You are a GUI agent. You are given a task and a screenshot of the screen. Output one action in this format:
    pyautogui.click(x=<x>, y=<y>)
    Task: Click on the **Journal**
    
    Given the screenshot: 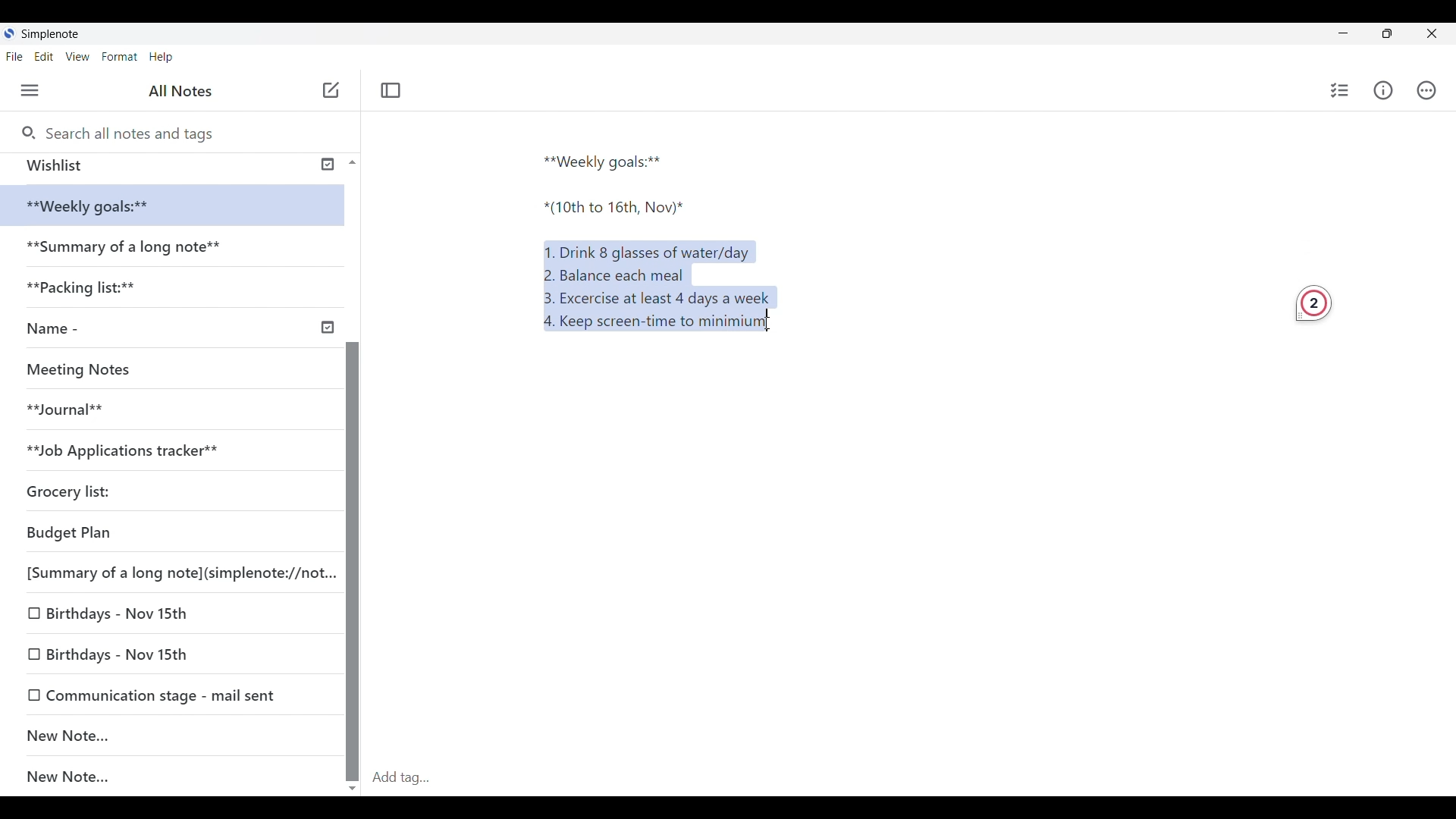 What is the action you would take?
    pyautogui.click(x=73, y=407)
    